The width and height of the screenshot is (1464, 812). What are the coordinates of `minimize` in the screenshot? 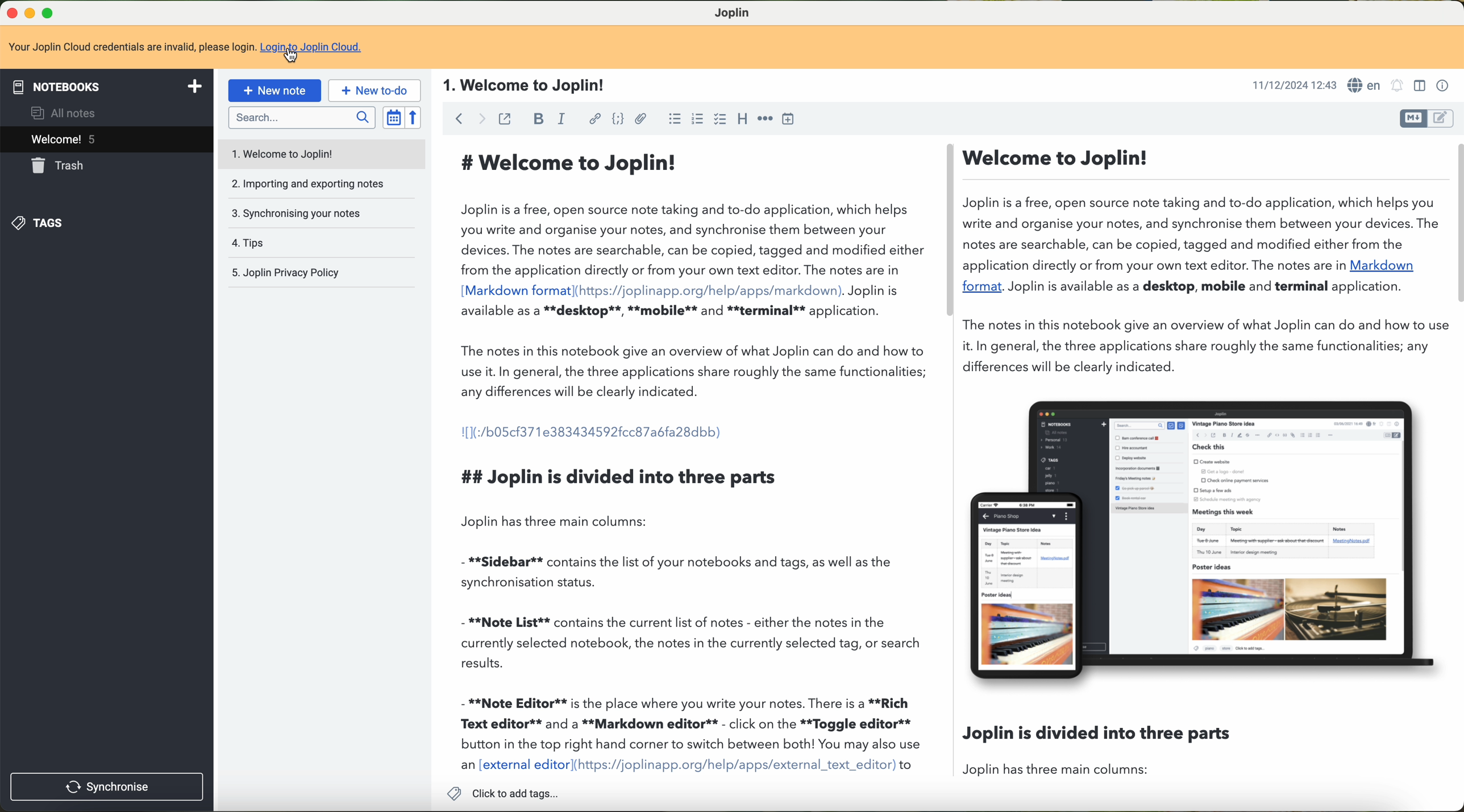 It's located at (30, 14).